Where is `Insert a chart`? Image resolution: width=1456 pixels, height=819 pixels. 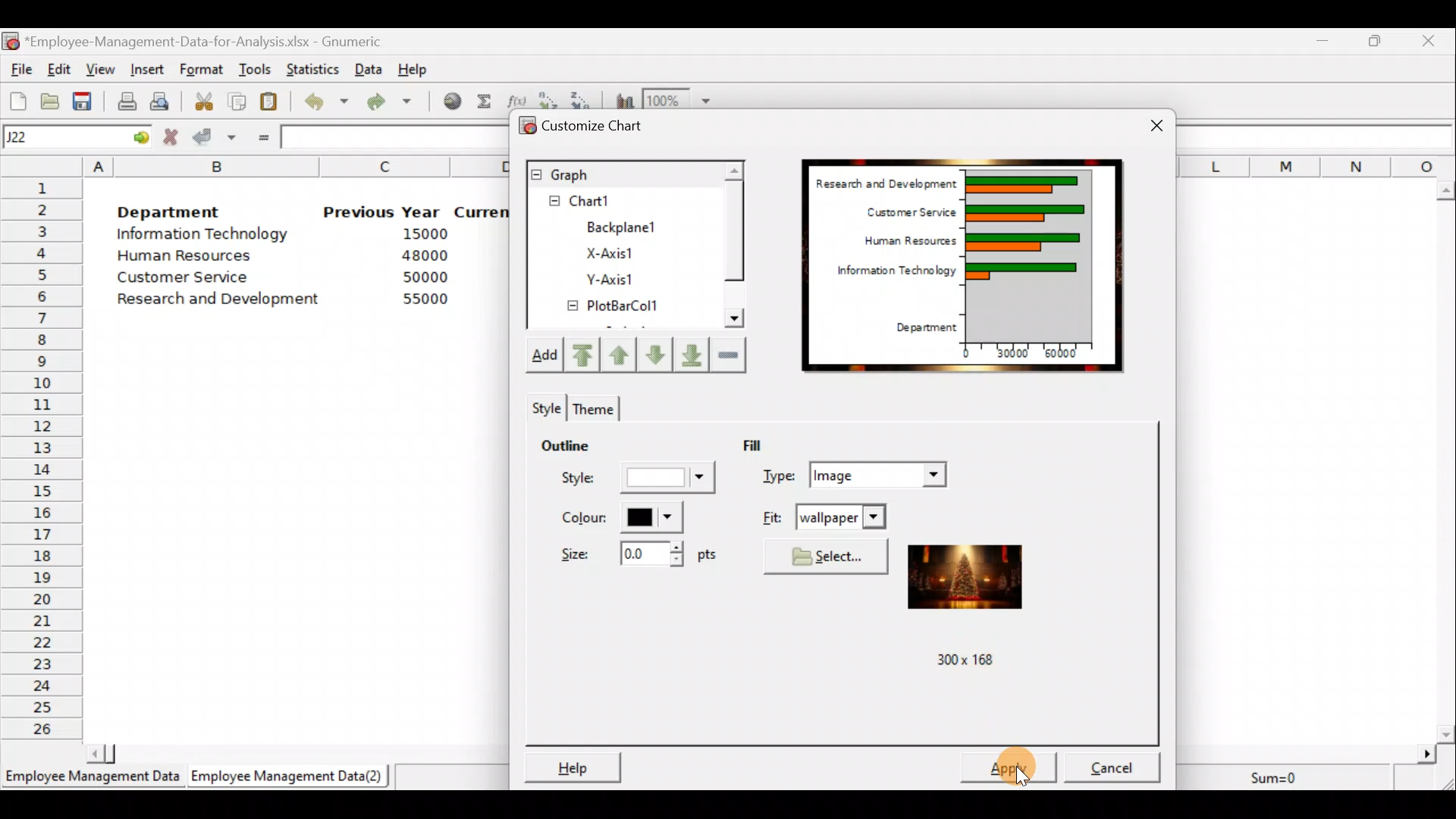 Insert a chart is located at coordinates (622, 99).